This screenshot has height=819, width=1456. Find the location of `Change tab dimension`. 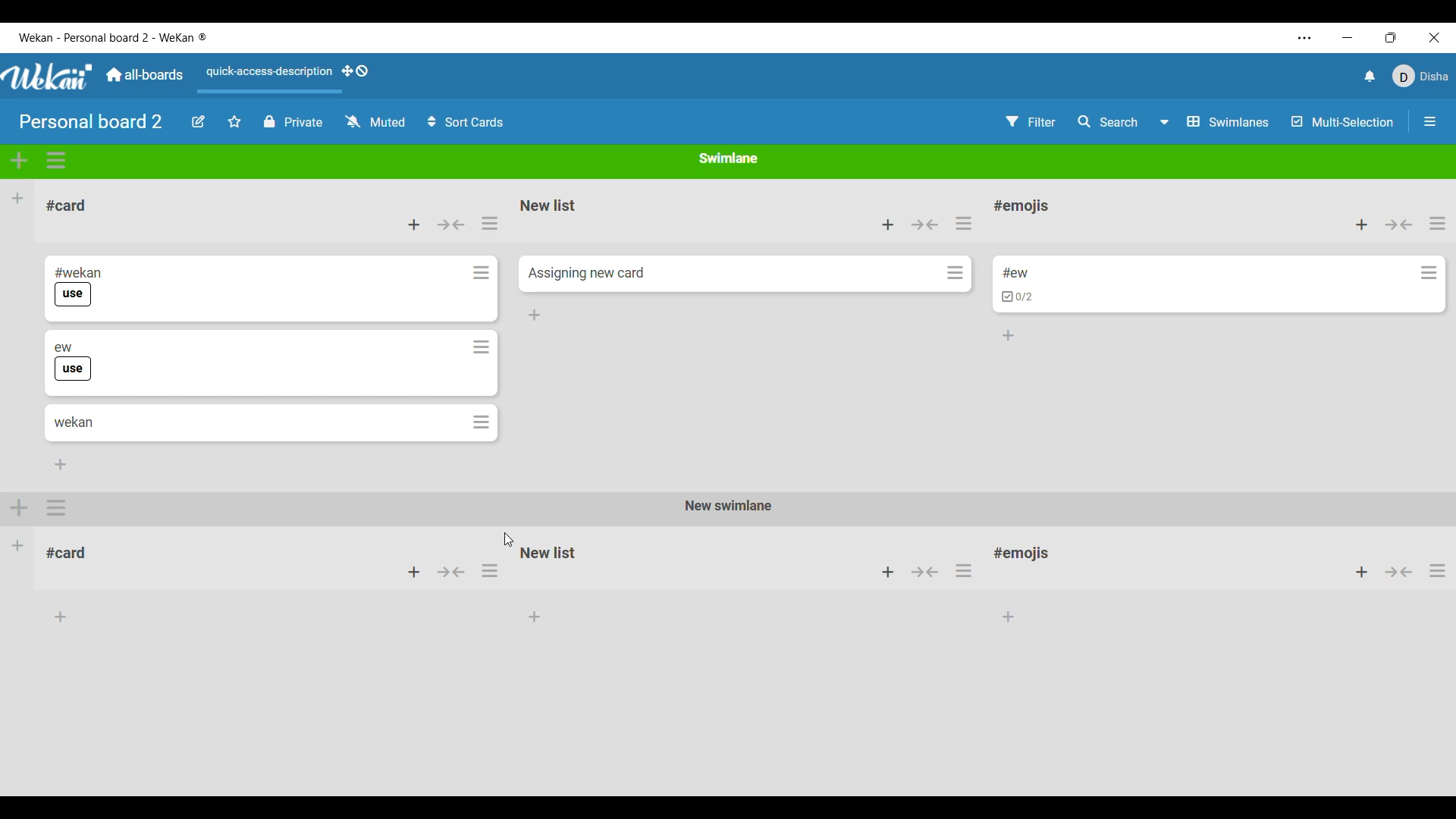

Change tab dimension is located at coordinates (1391, 37).